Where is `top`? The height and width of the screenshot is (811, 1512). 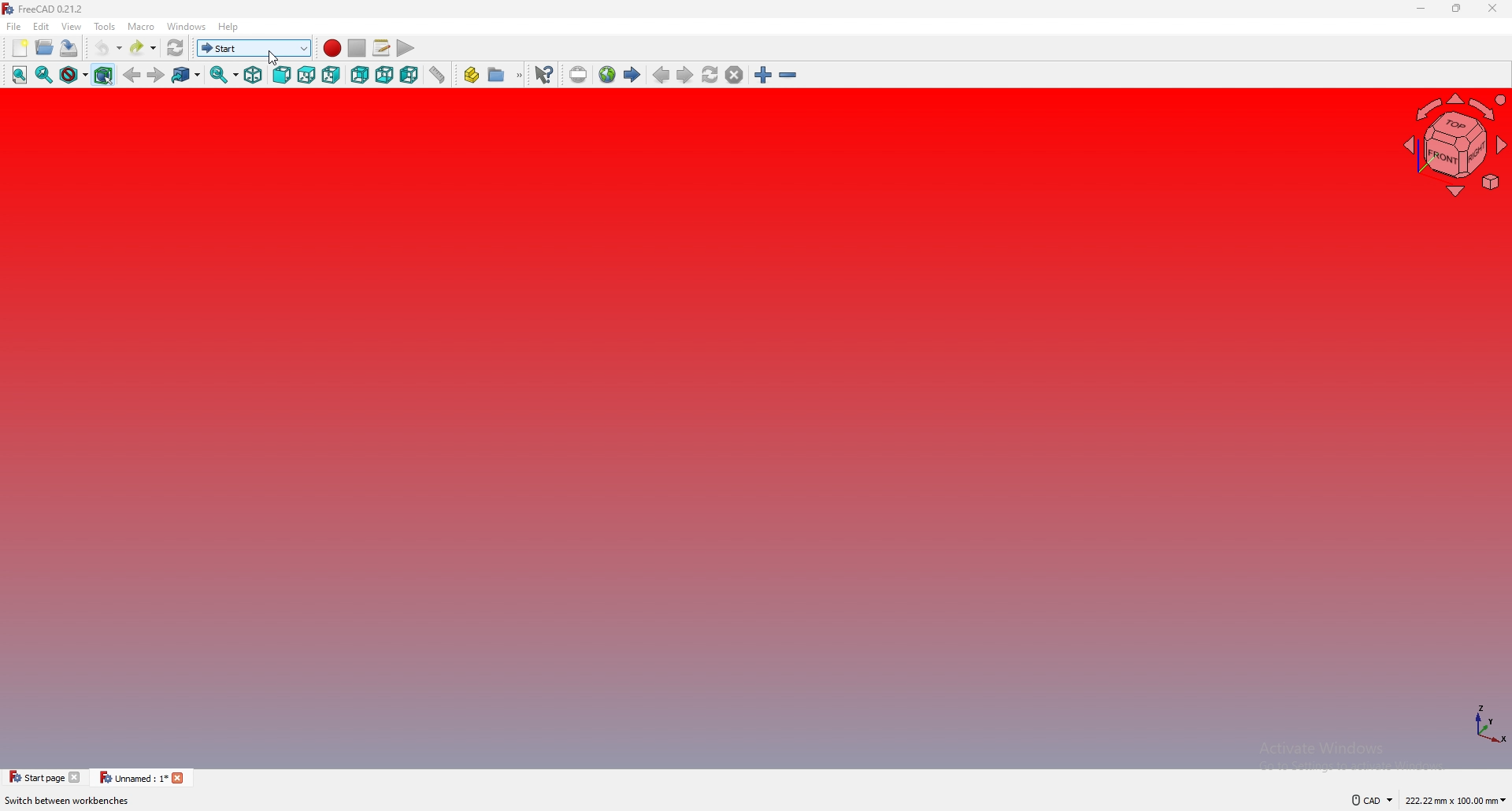
top is located at coordinates (306, 75).